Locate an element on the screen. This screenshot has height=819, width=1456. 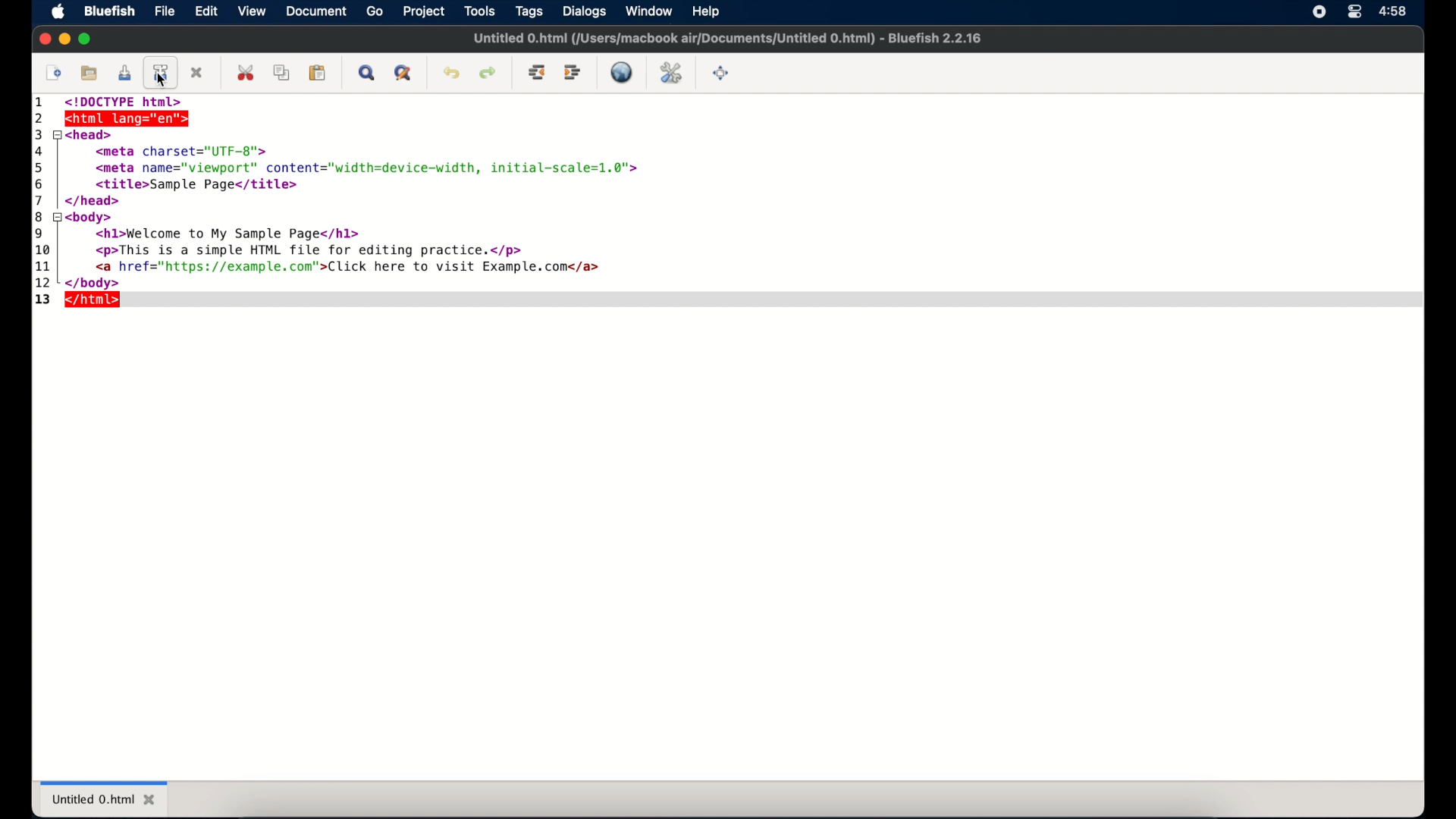
close is located at coordinates (44, 39).